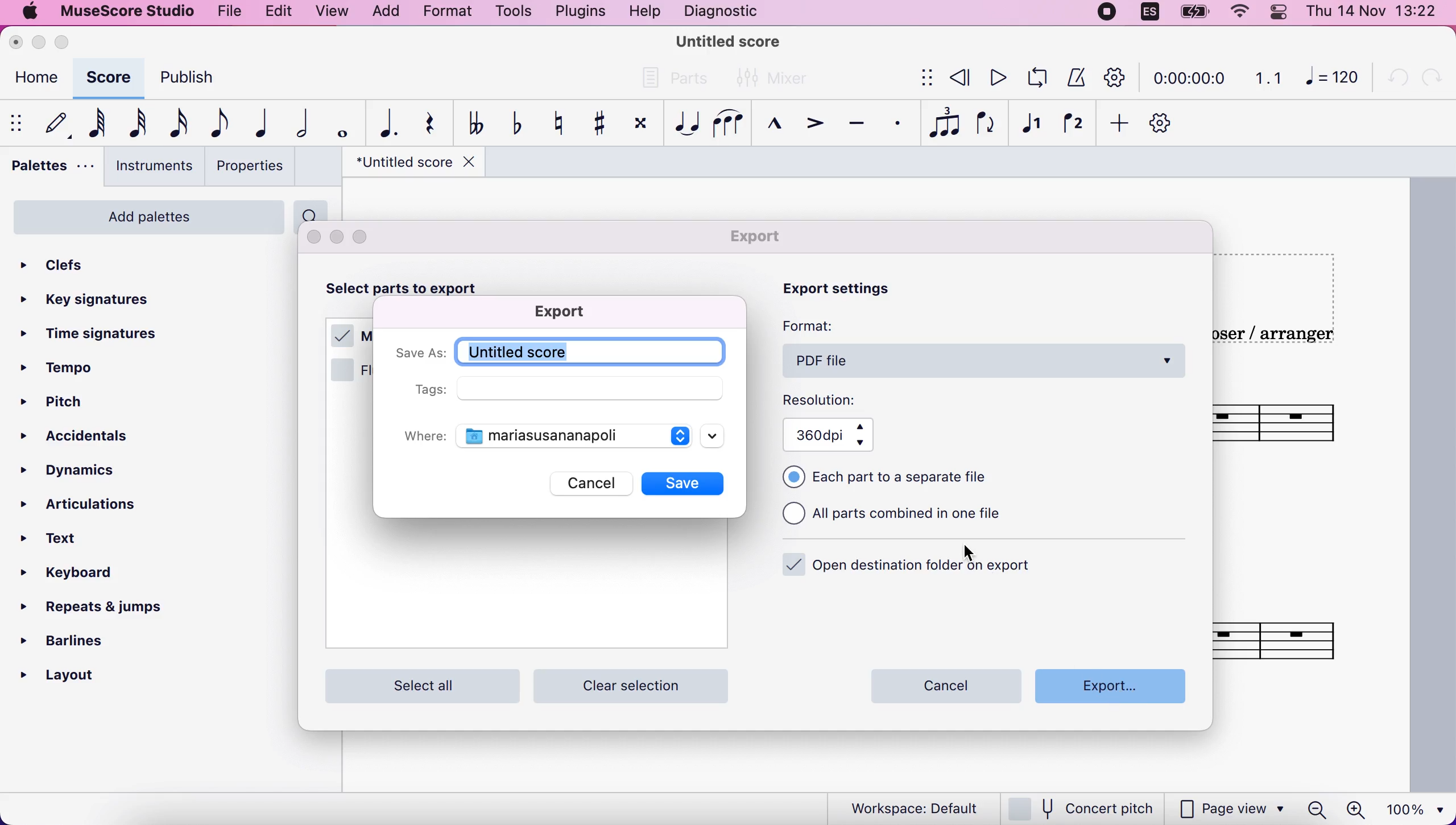 This screenshot has width=1456, height=825. I want to click on 1.1, so click(1267, 79).